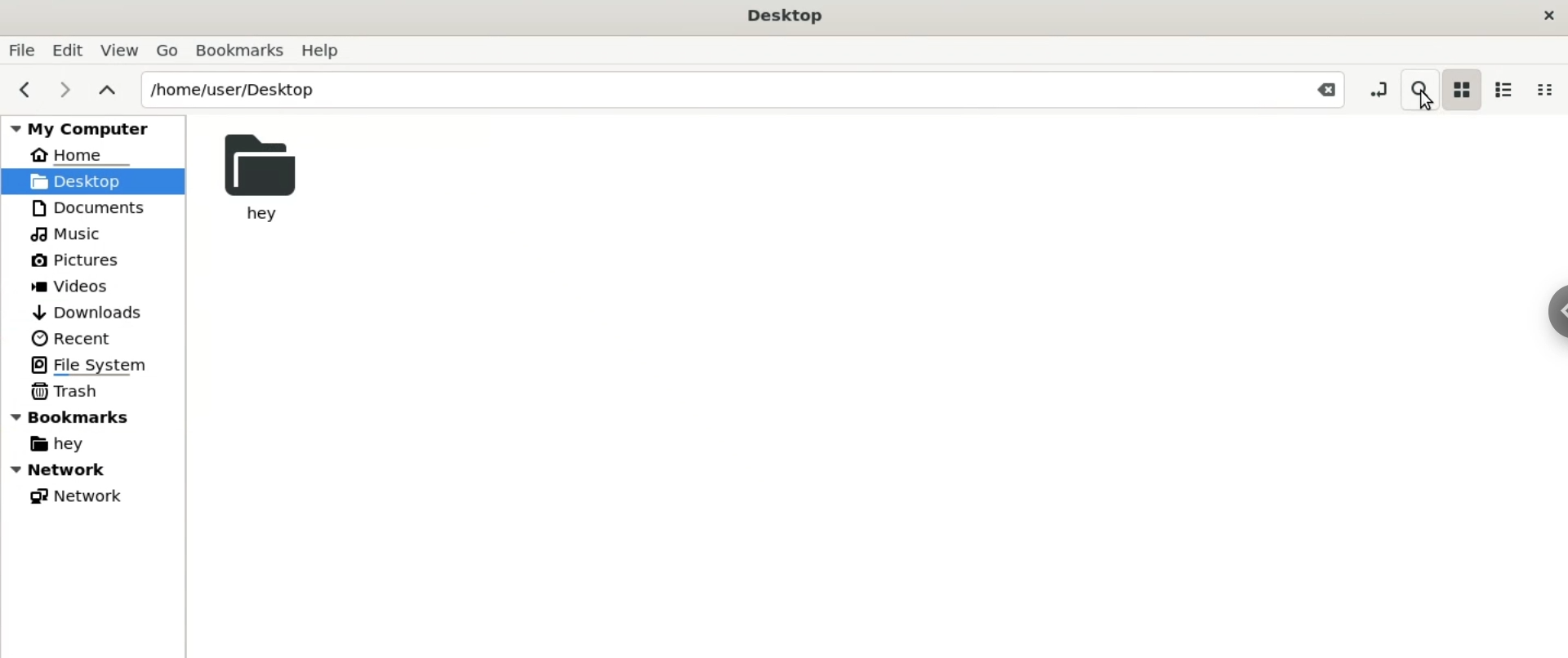  I want to click on Downloads, so click(91, 313).